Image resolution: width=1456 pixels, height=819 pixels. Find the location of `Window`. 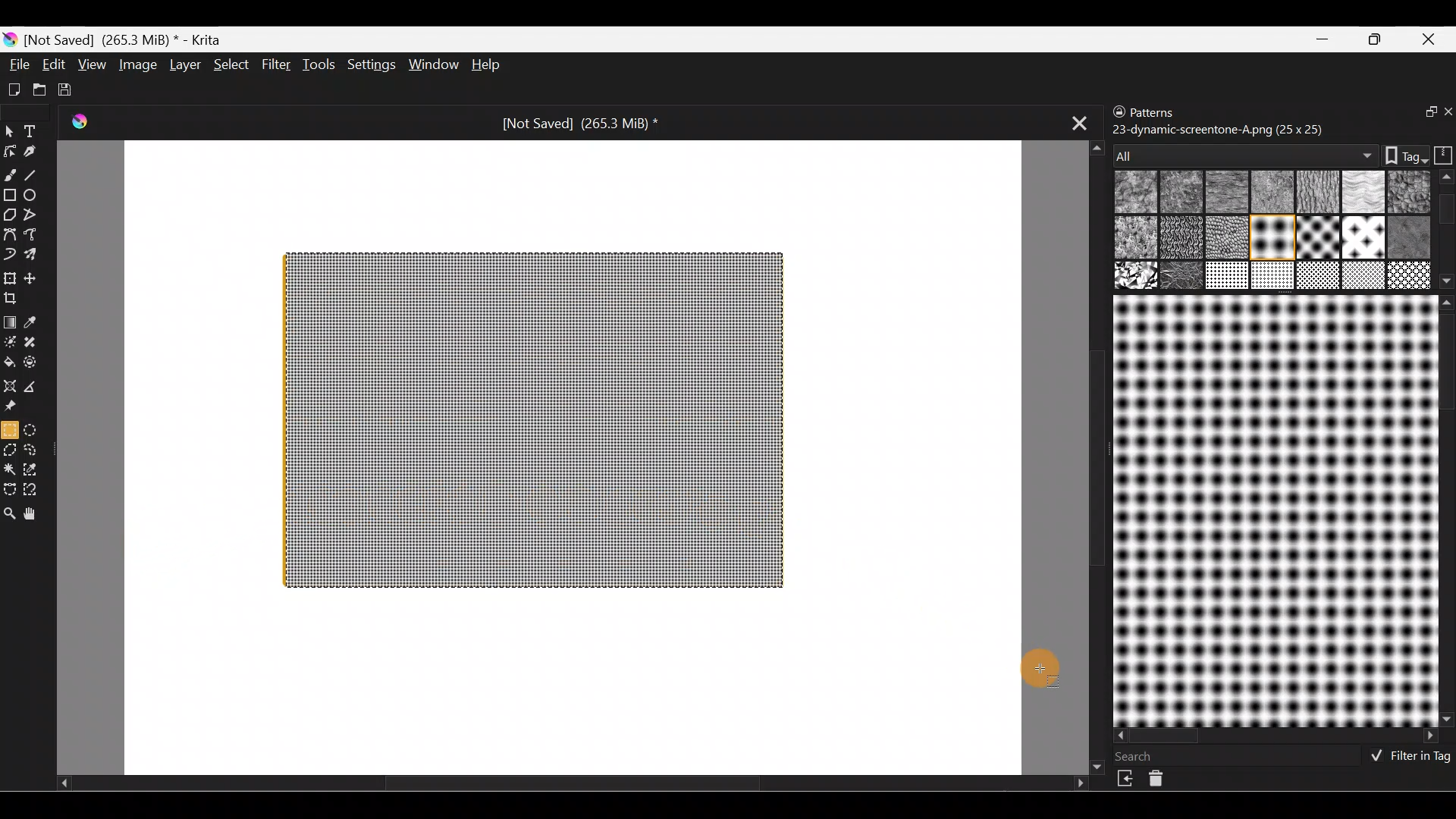

Window is located at coordinates (431, 64).